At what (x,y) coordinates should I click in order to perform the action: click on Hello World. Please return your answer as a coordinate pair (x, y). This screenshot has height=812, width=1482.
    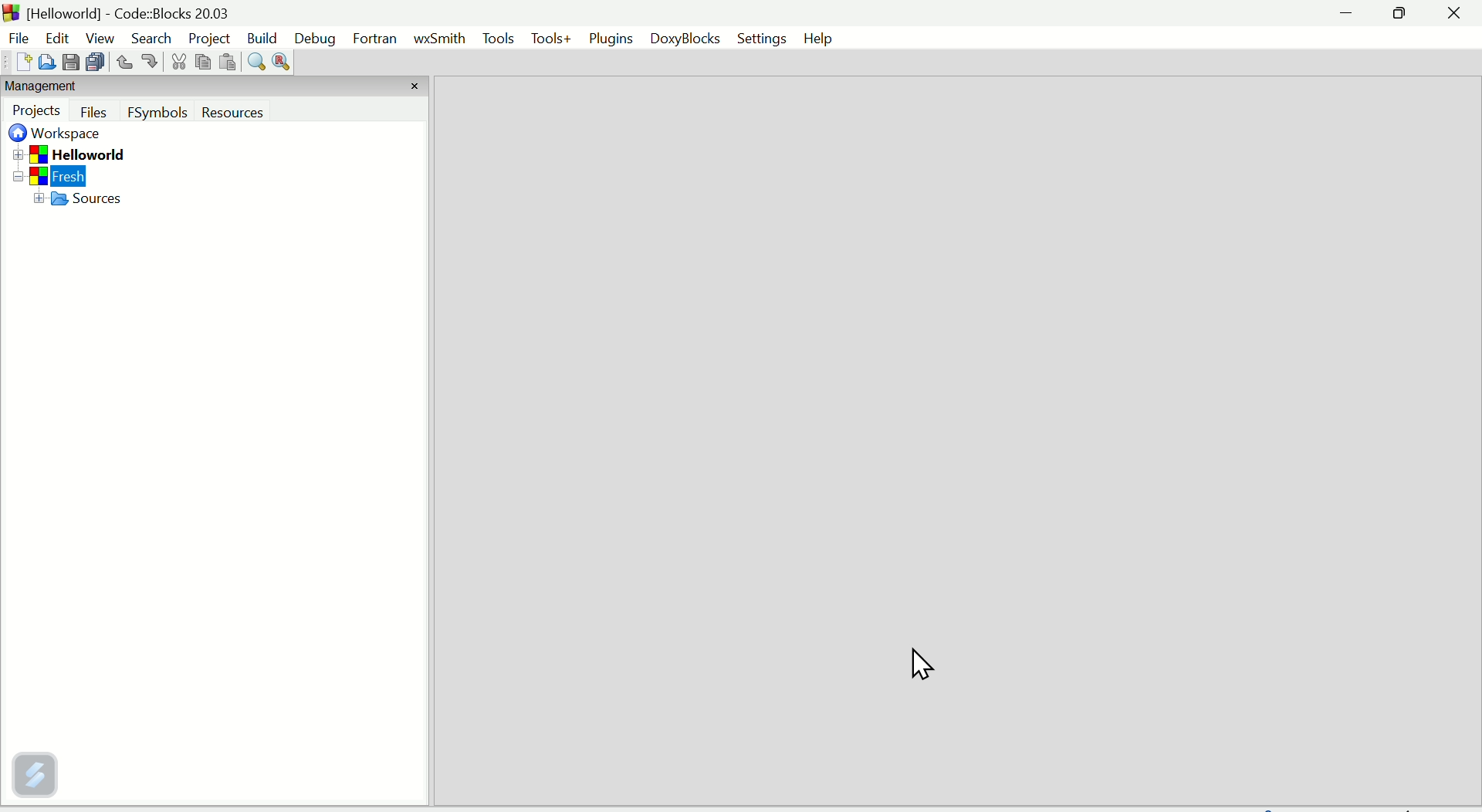
    Looking at the image, I should click on (91, 154).